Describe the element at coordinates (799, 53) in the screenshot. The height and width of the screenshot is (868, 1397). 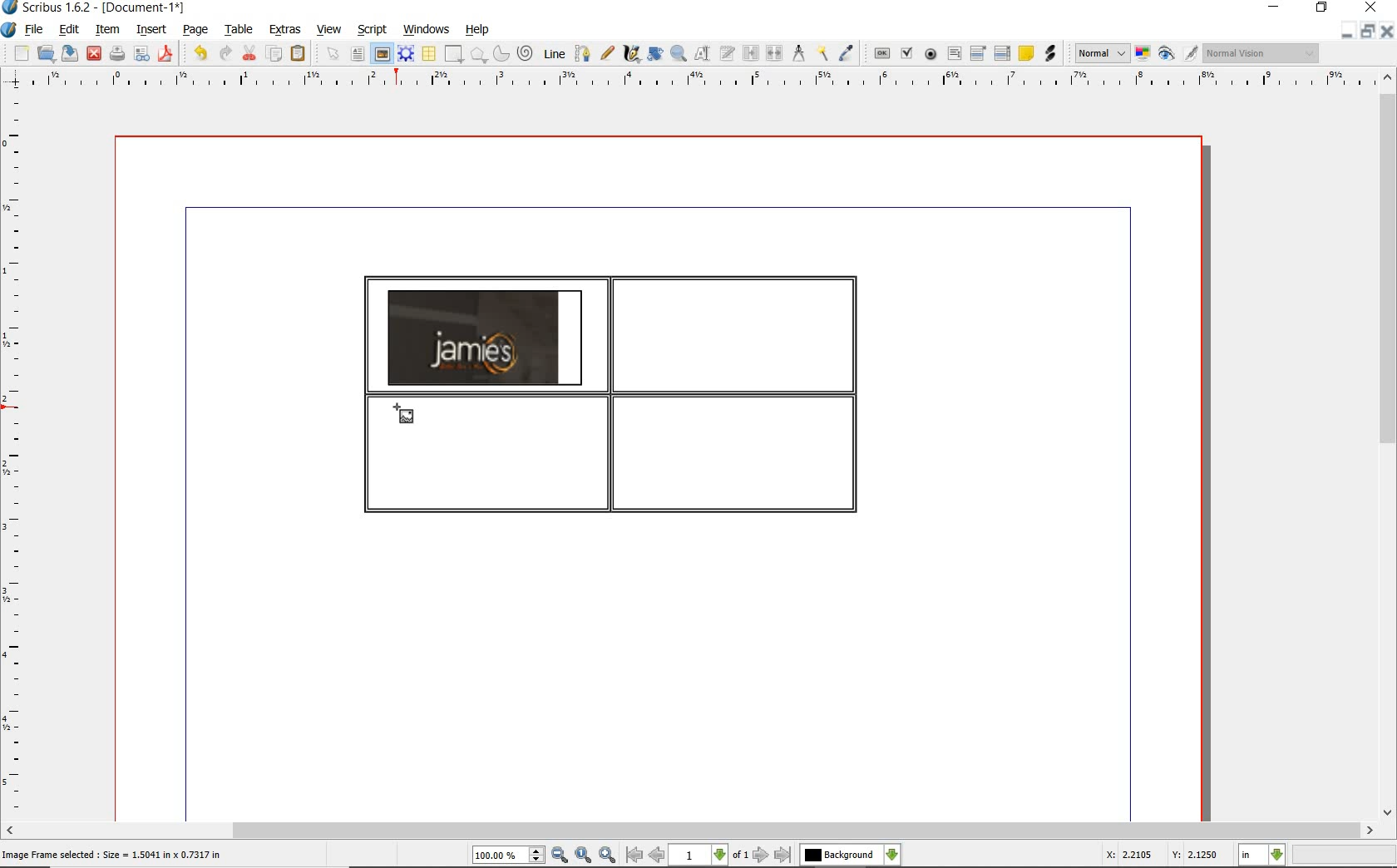
I see `measurements` at that location.